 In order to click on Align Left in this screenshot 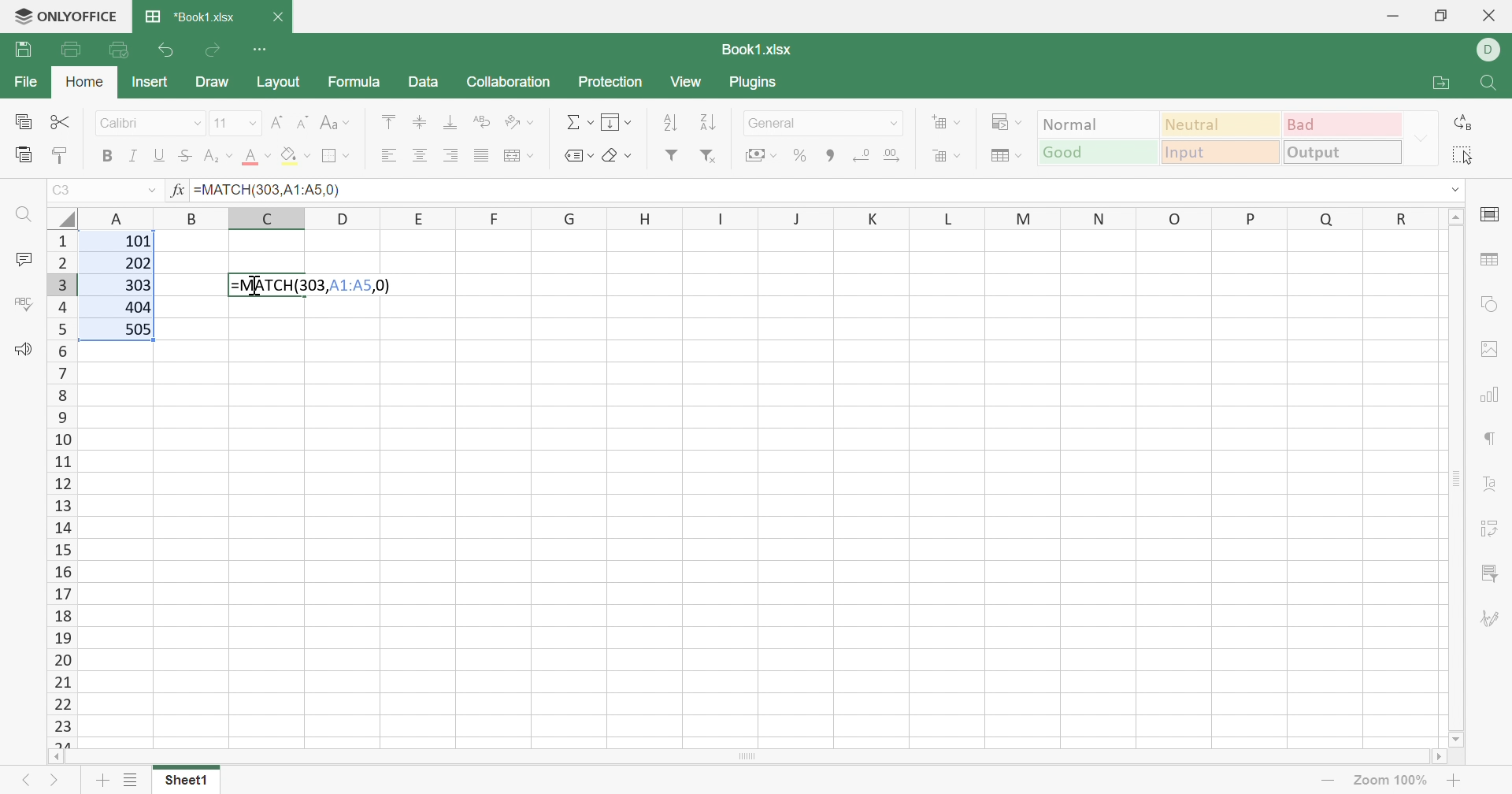, I will do `click(388, 156)`.